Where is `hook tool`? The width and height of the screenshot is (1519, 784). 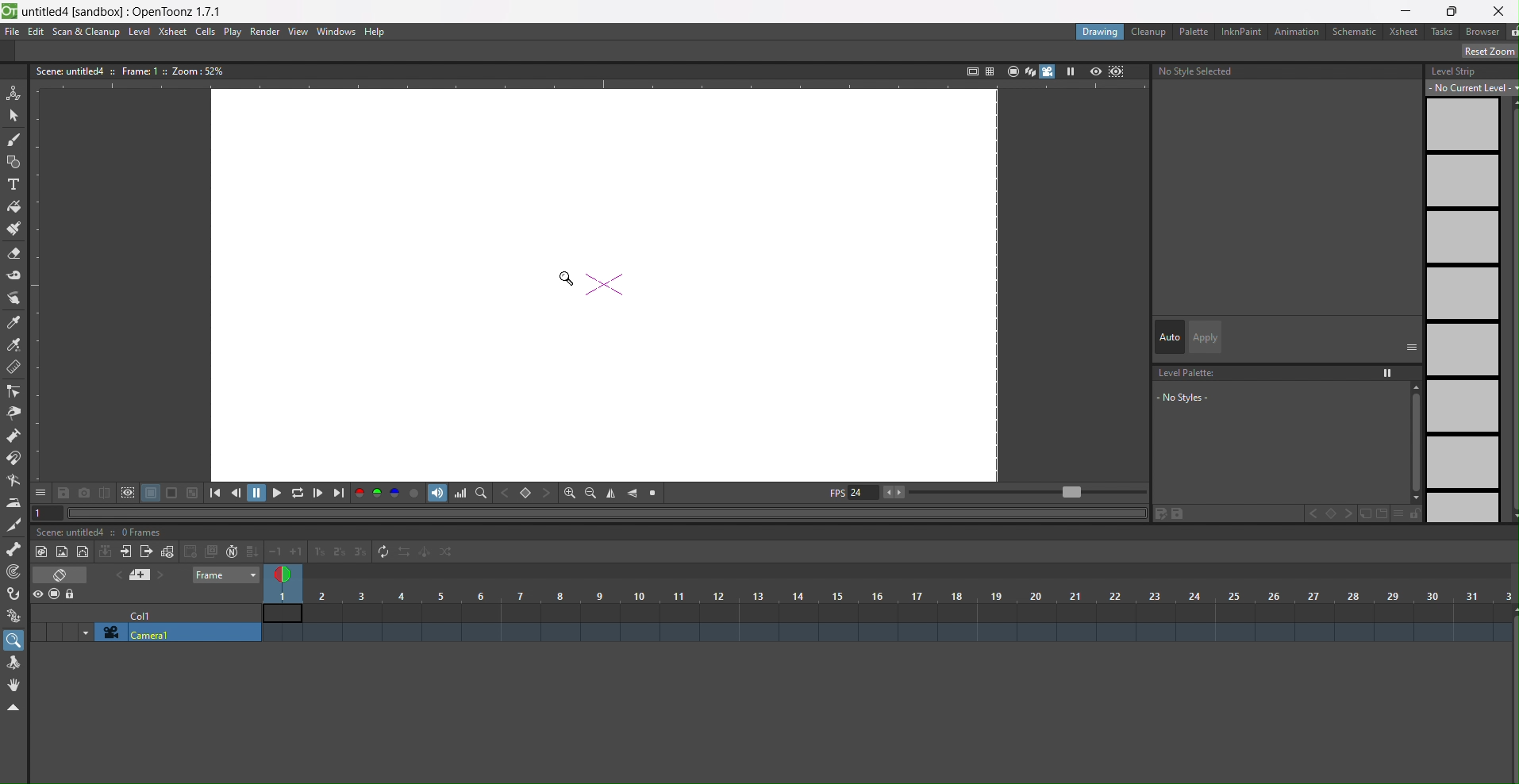
hook tool is located at coordinates (14, 594).